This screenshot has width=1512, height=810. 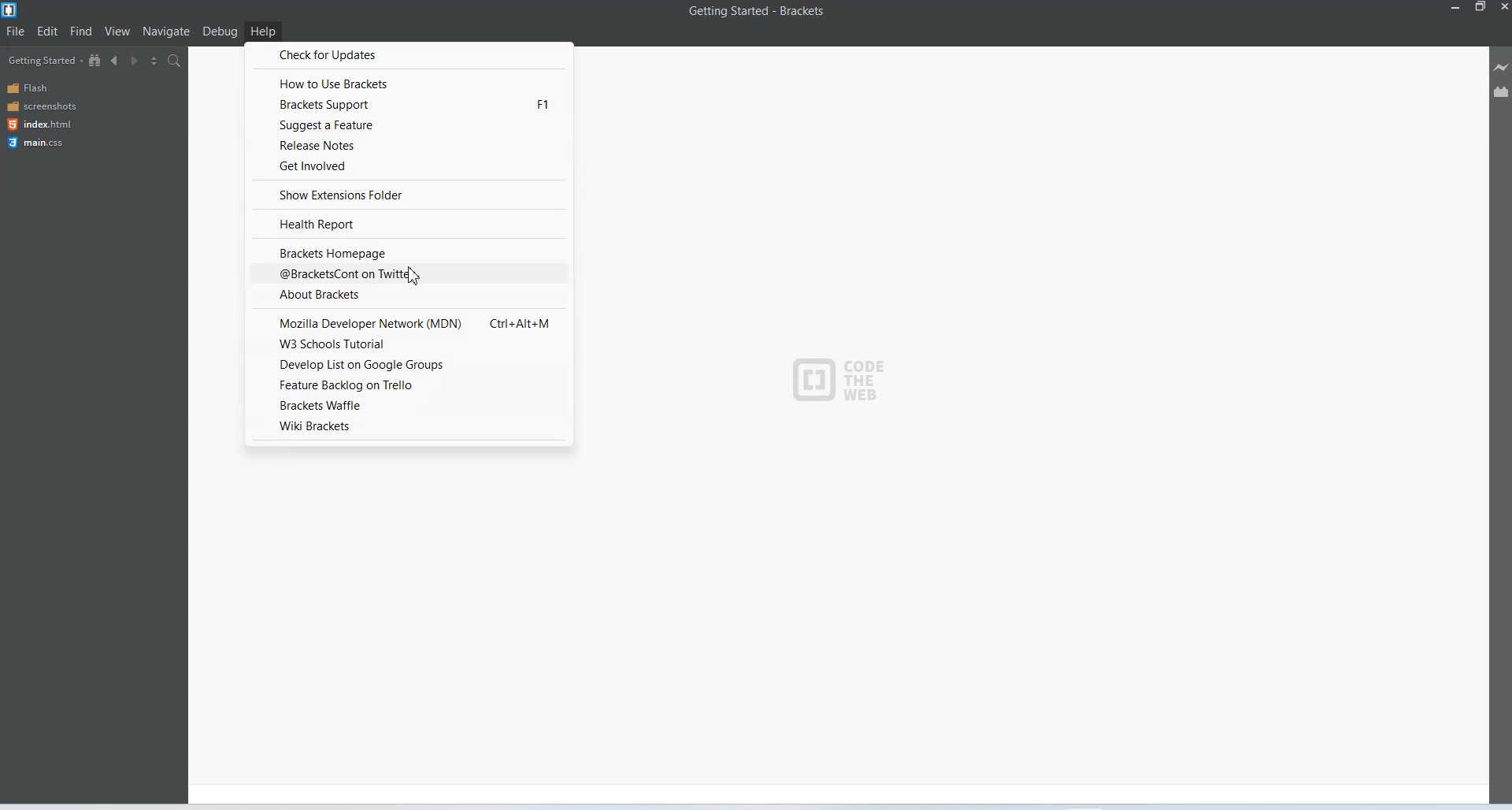 What do you see at coordinates (39, 124) in the screenshot?
I see `index.html` at bounding box center [39, 124].